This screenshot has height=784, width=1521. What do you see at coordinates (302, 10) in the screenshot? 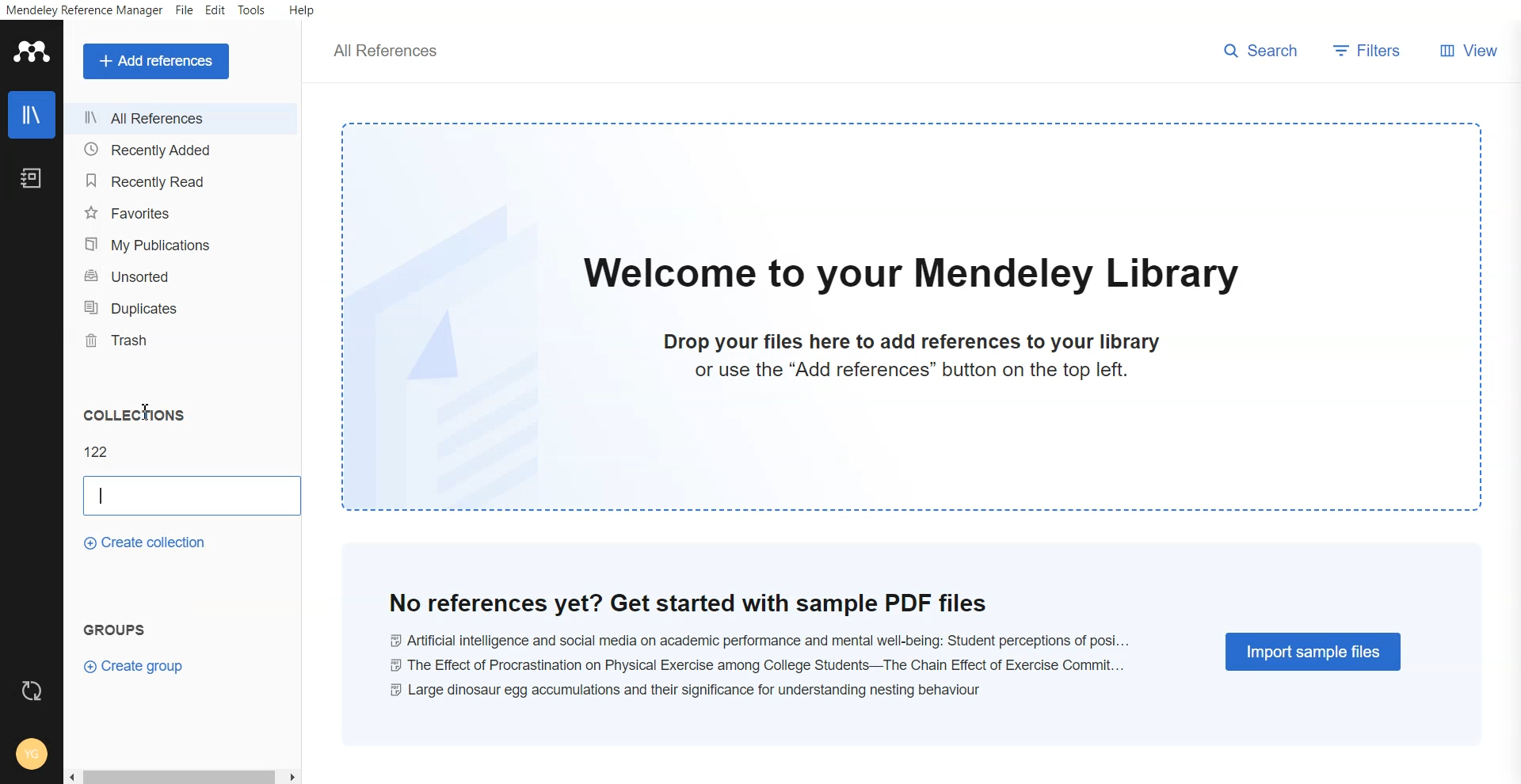
I see `Help` at bounding box center [302, 10].